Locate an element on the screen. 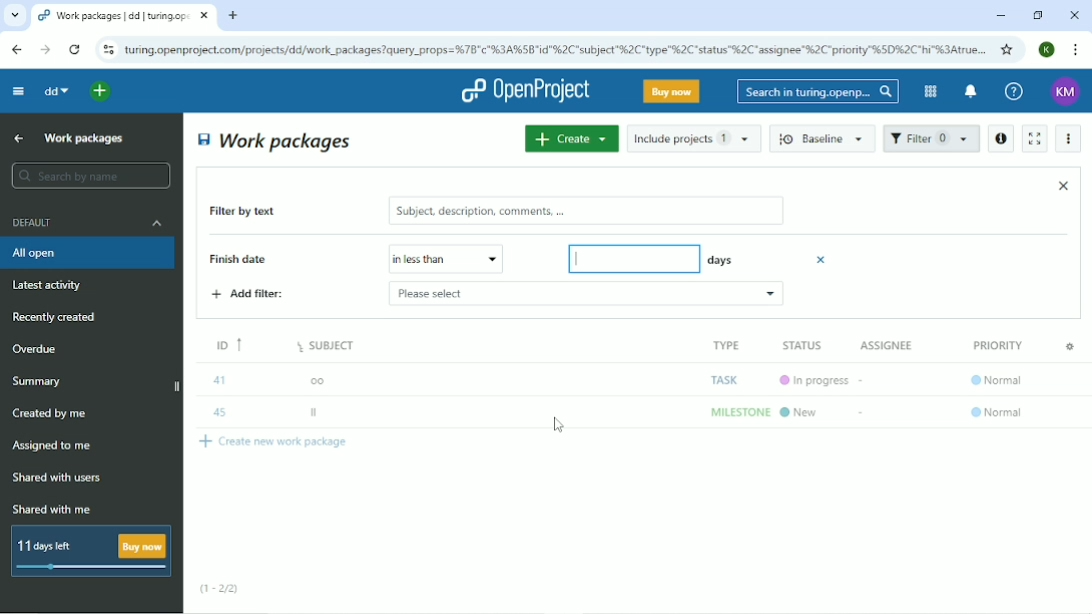  Search by name is located at coordinates (90, 176).